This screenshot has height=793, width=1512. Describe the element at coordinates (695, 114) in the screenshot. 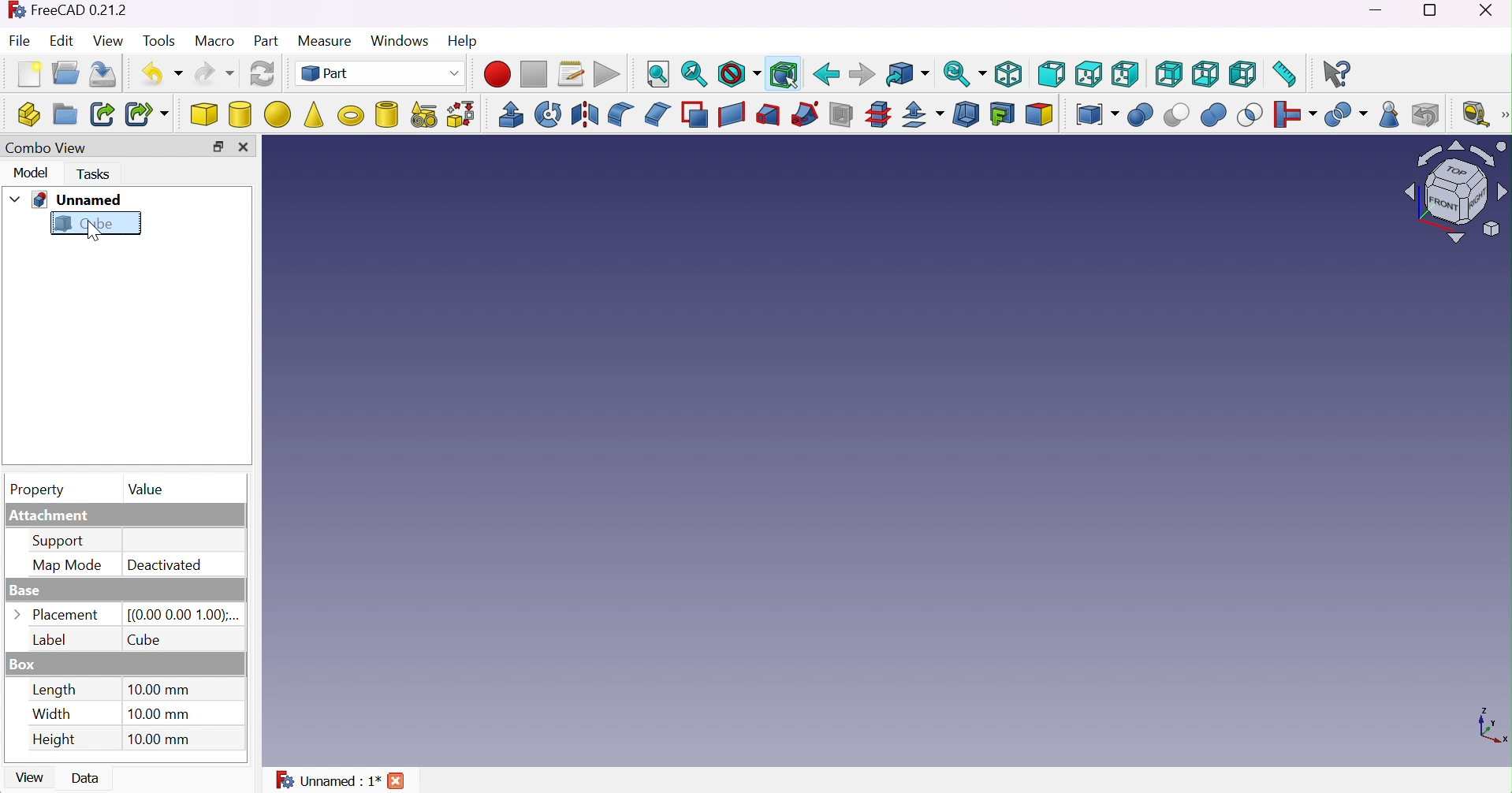

I see `Make face from wires` at that location.